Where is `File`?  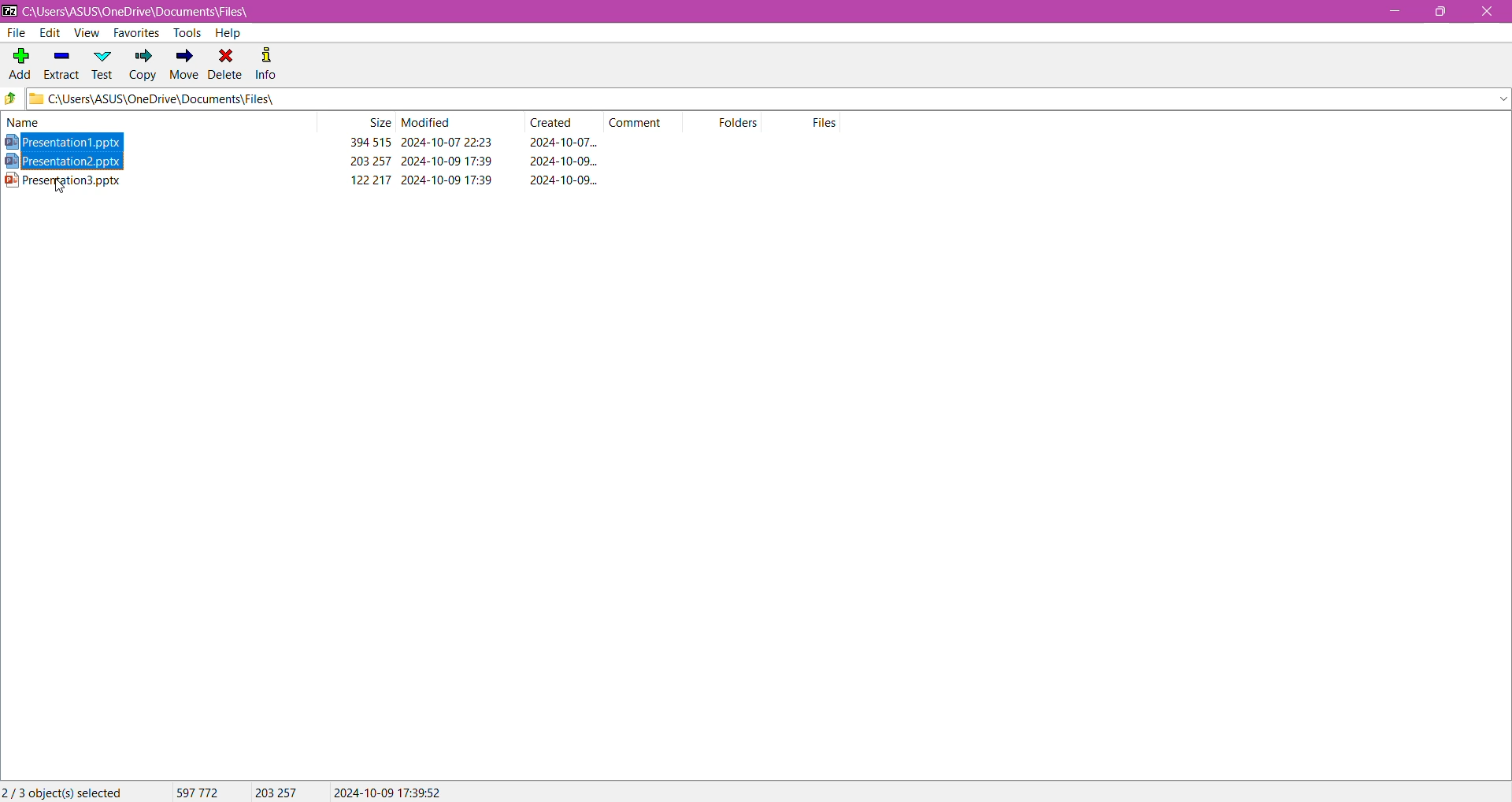
File is located at coordinates (18, 33).